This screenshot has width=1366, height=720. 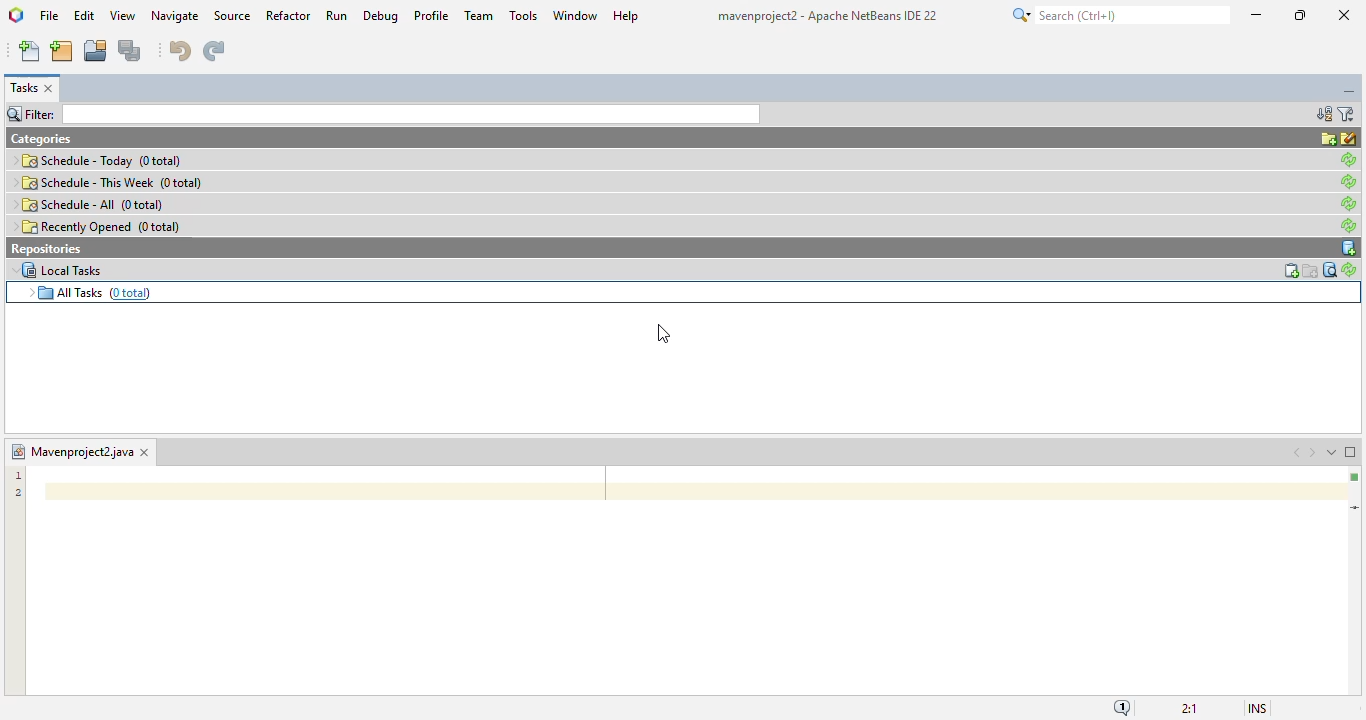 What do you see at coordinates (1118, 15) in the screenshot?
I see `search` at bounding box center [1118, 15].